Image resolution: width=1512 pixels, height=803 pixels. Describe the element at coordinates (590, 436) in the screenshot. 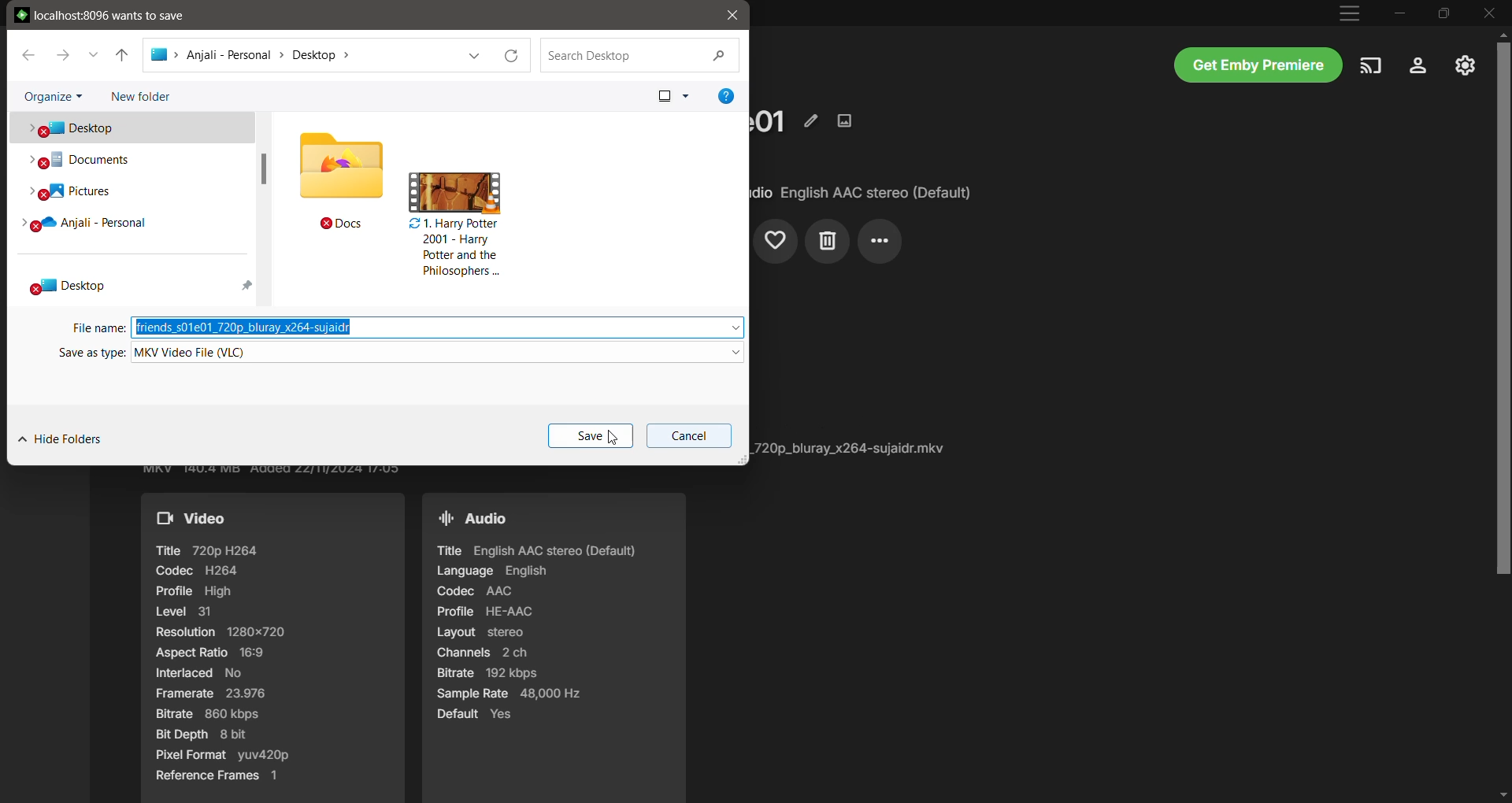

I see `Save` at that location.